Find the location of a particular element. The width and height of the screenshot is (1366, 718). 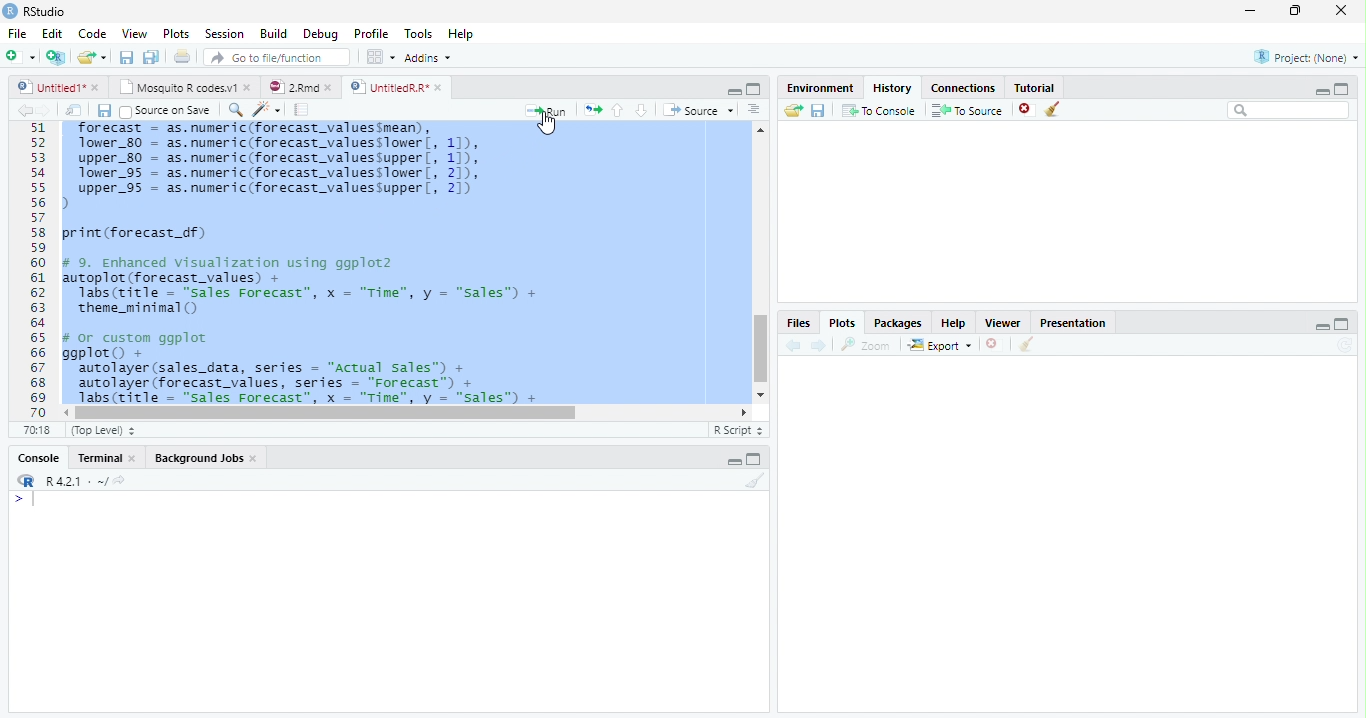

Previous is located at coordinates (22, 111).